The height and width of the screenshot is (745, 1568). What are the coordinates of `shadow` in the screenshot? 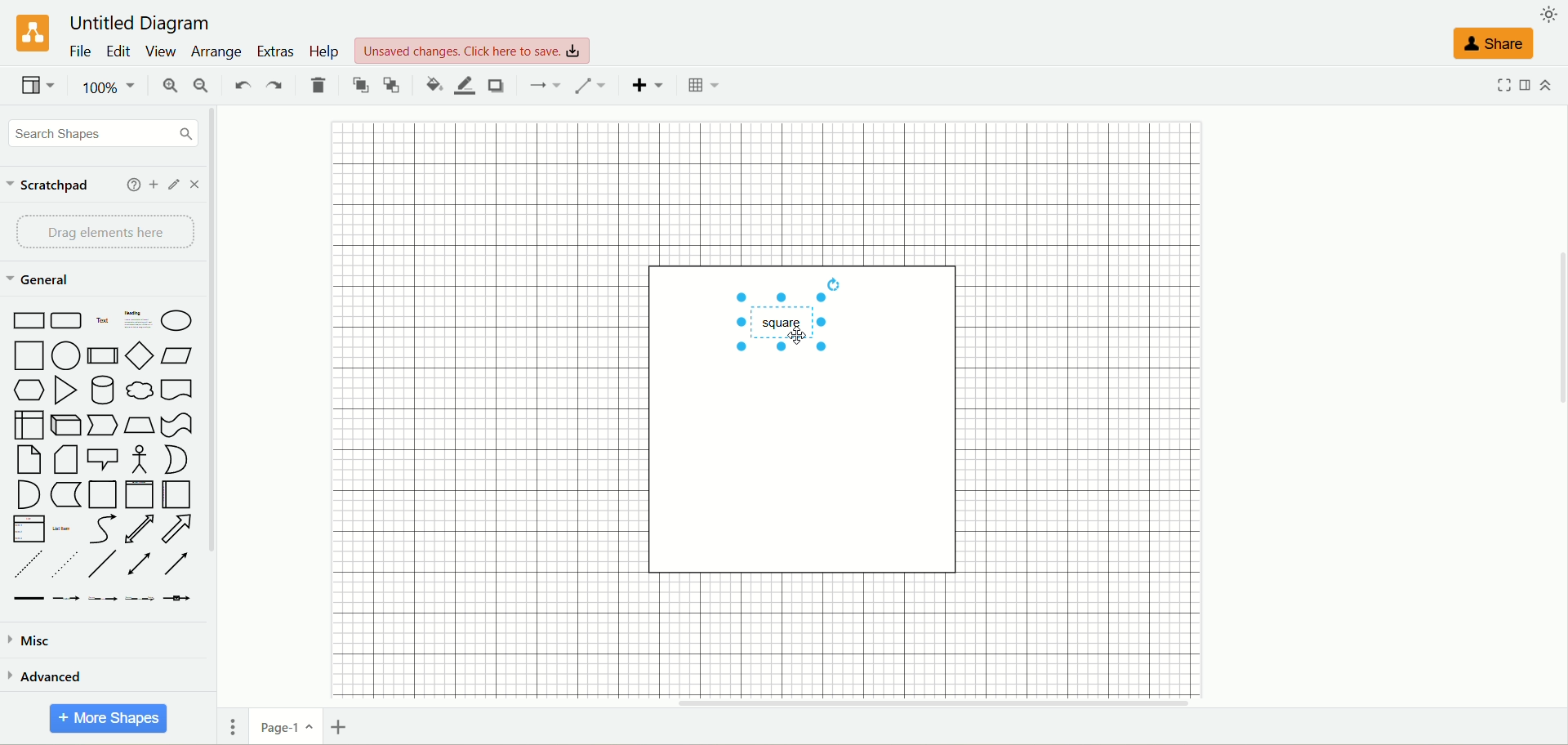 It's located at (497, 85).